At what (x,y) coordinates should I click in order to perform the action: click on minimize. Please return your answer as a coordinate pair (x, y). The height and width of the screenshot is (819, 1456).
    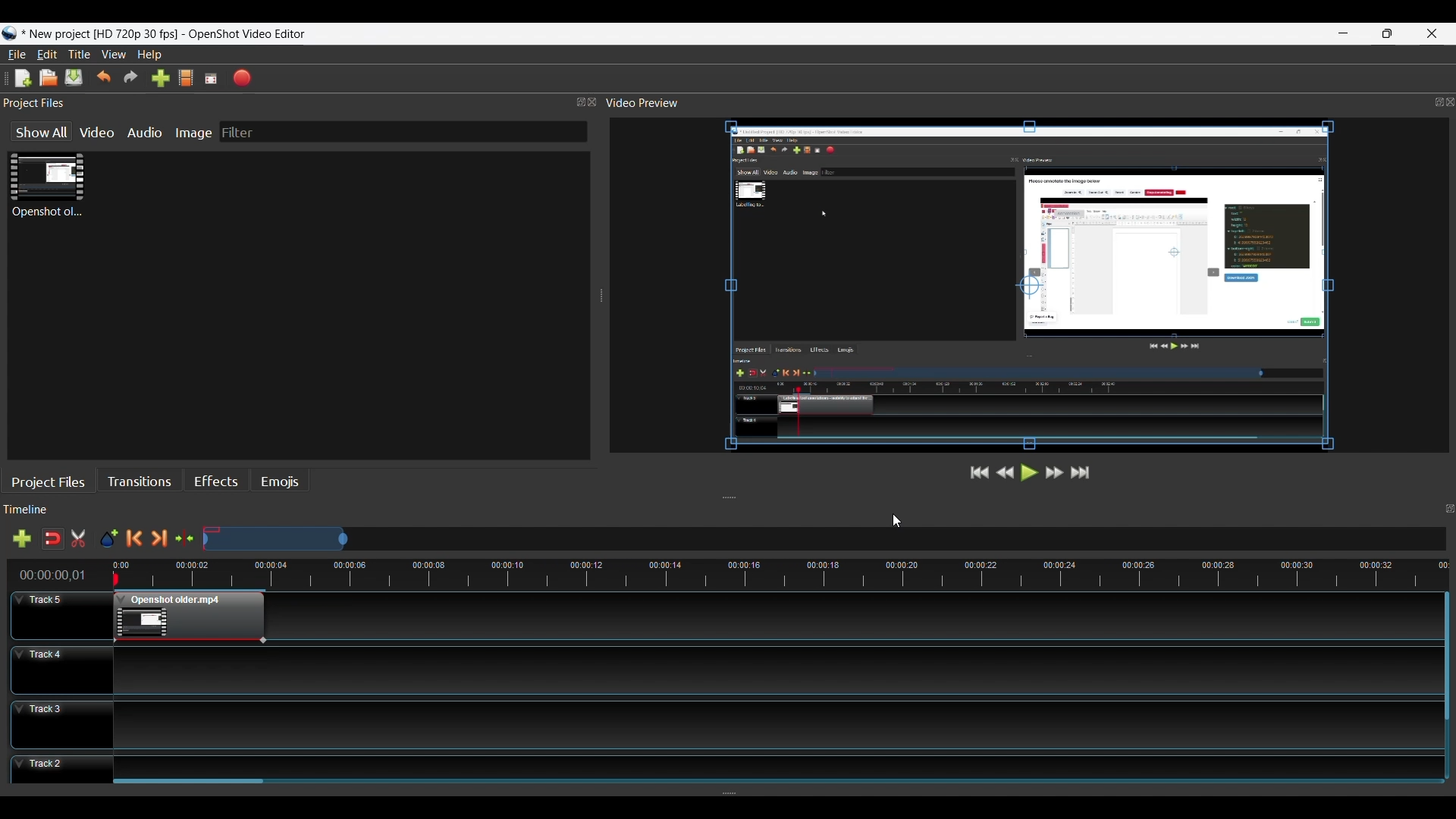
    Looking at the image, I should click on (1345, 33).